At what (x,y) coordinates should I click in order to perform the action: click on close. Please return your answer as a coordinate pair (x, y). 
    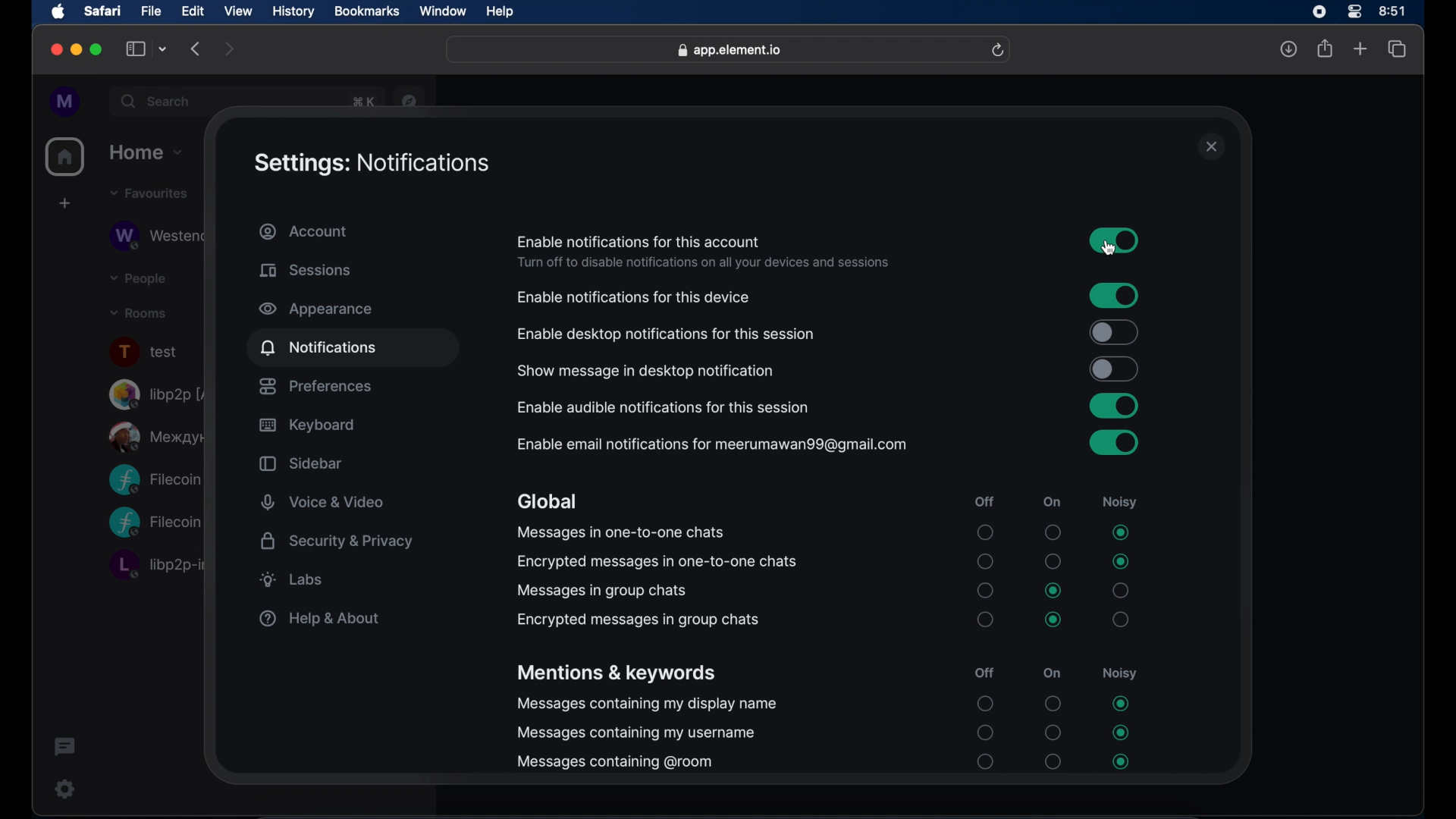
    Looking at the image, I should click on (55, 50).